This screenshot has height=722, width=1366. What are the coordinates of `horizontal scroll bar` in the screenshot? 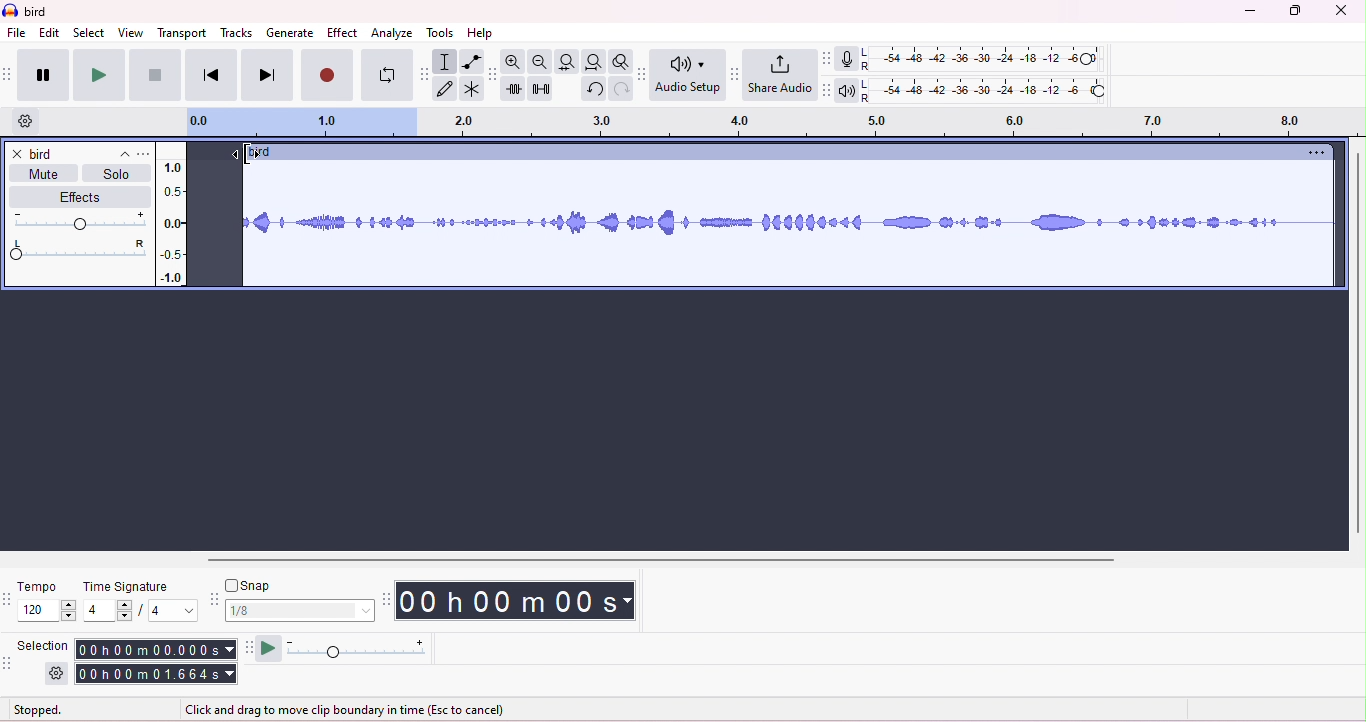 It's located at (667, 559).